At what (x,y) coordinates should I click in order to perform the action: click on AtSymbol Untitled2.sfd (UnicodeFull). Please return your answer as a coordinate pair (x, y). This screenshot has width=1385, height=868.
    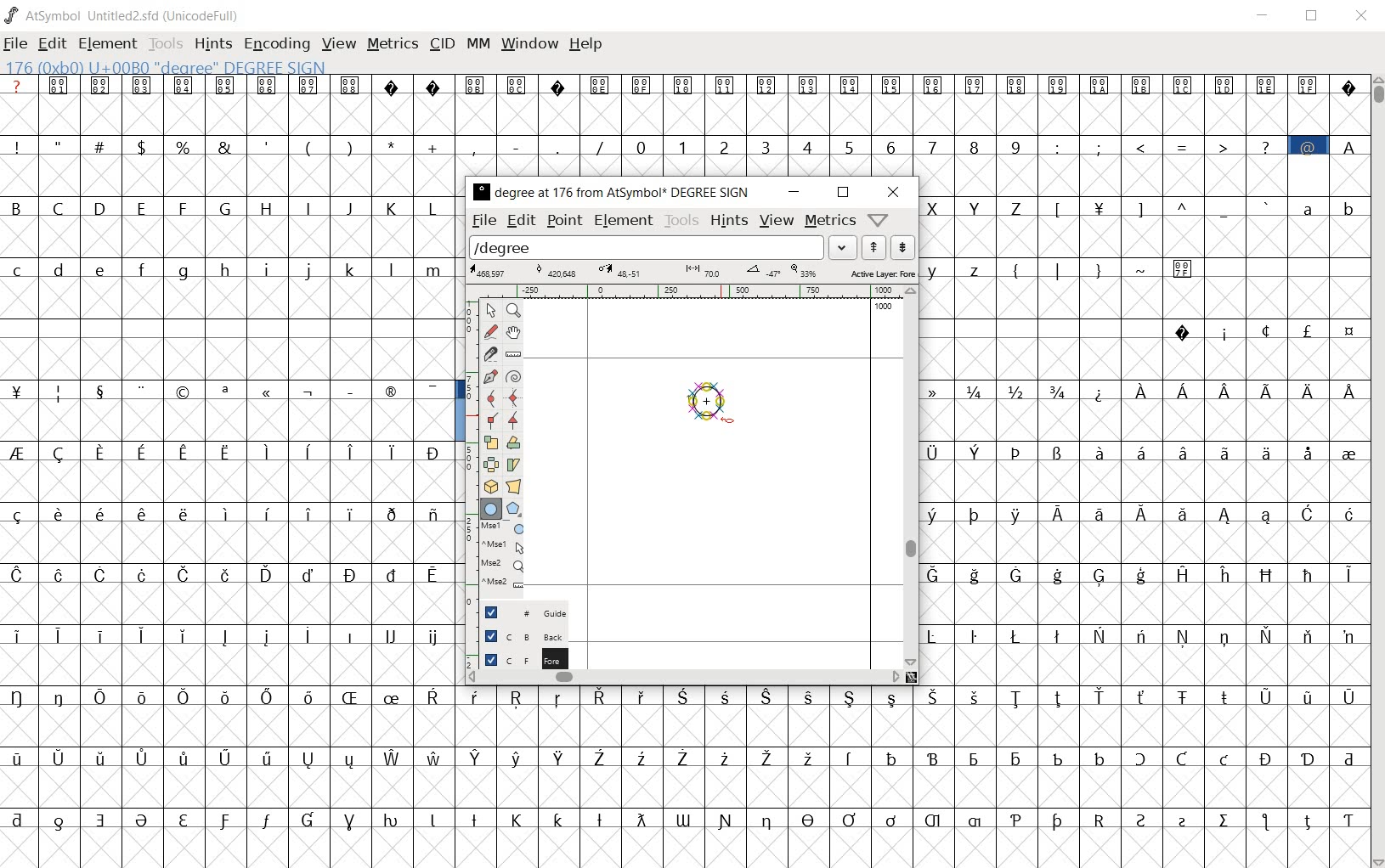
    Looking at the image, I should click on (126, 15).